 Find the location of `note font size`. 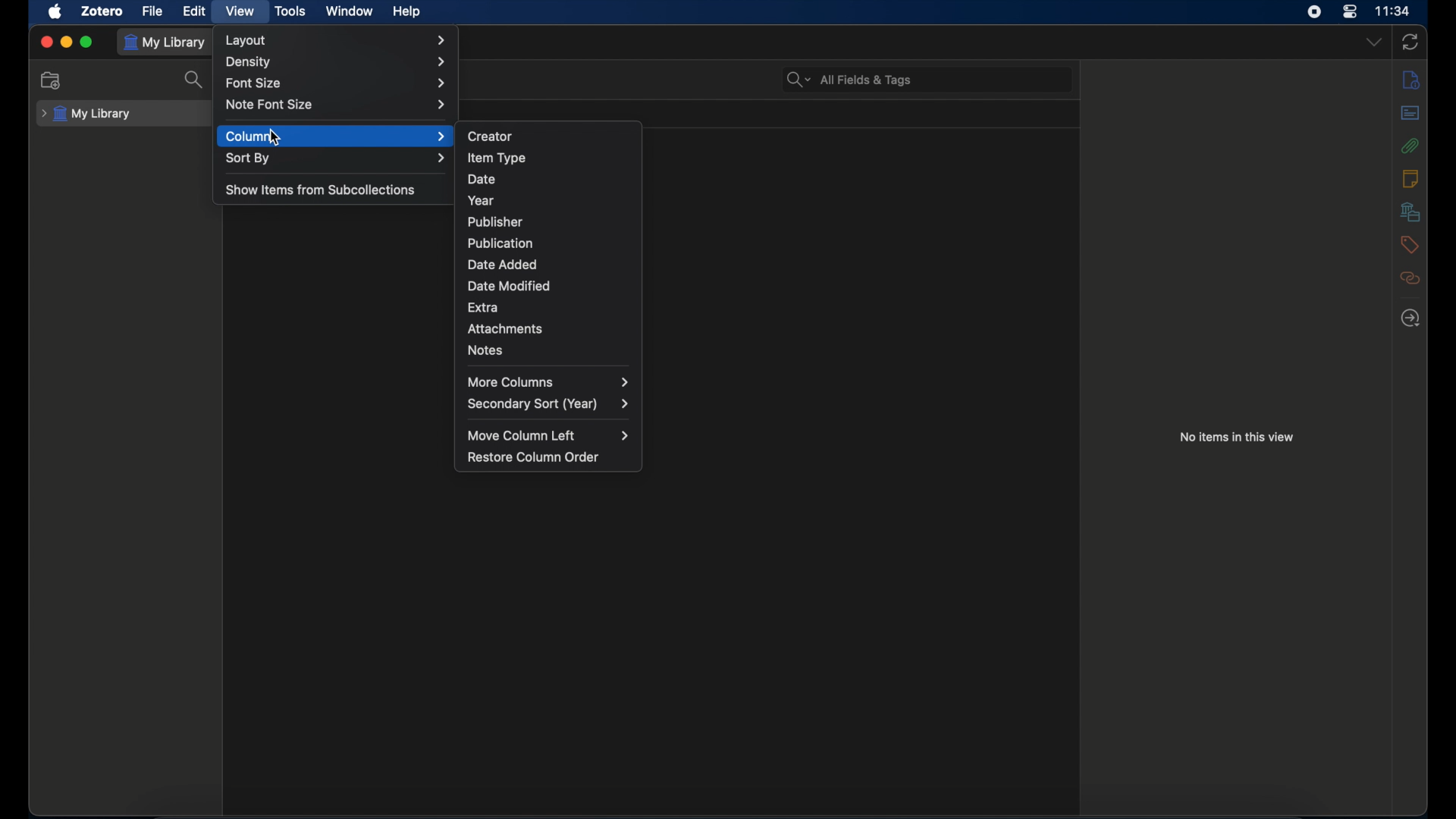

note font size is located at coordinates (337, 104).